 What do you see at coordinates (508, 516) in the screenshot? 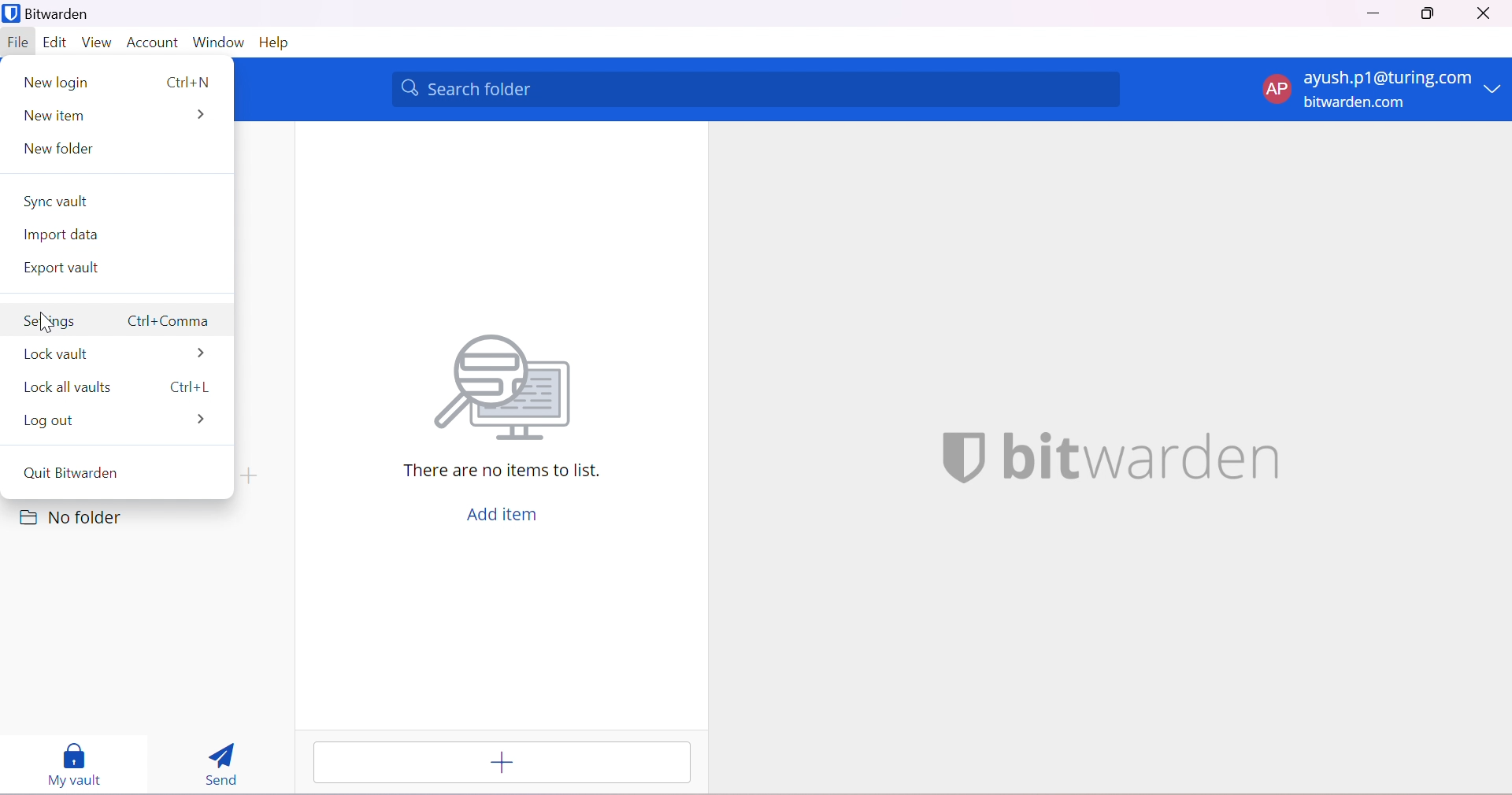
I see `Add item` at bounding box center [508, 516].